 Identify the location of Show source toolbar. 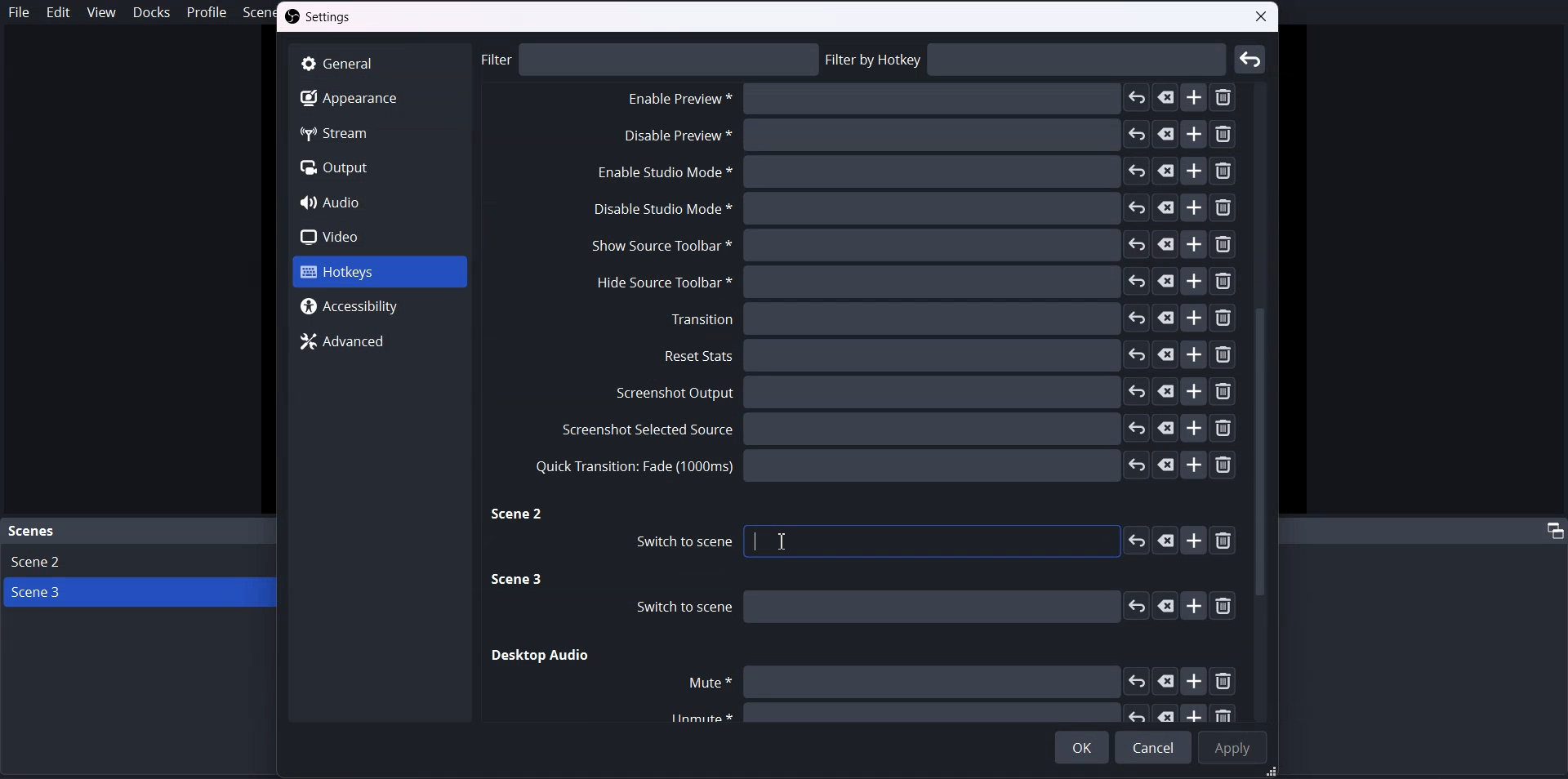
(911, 246).